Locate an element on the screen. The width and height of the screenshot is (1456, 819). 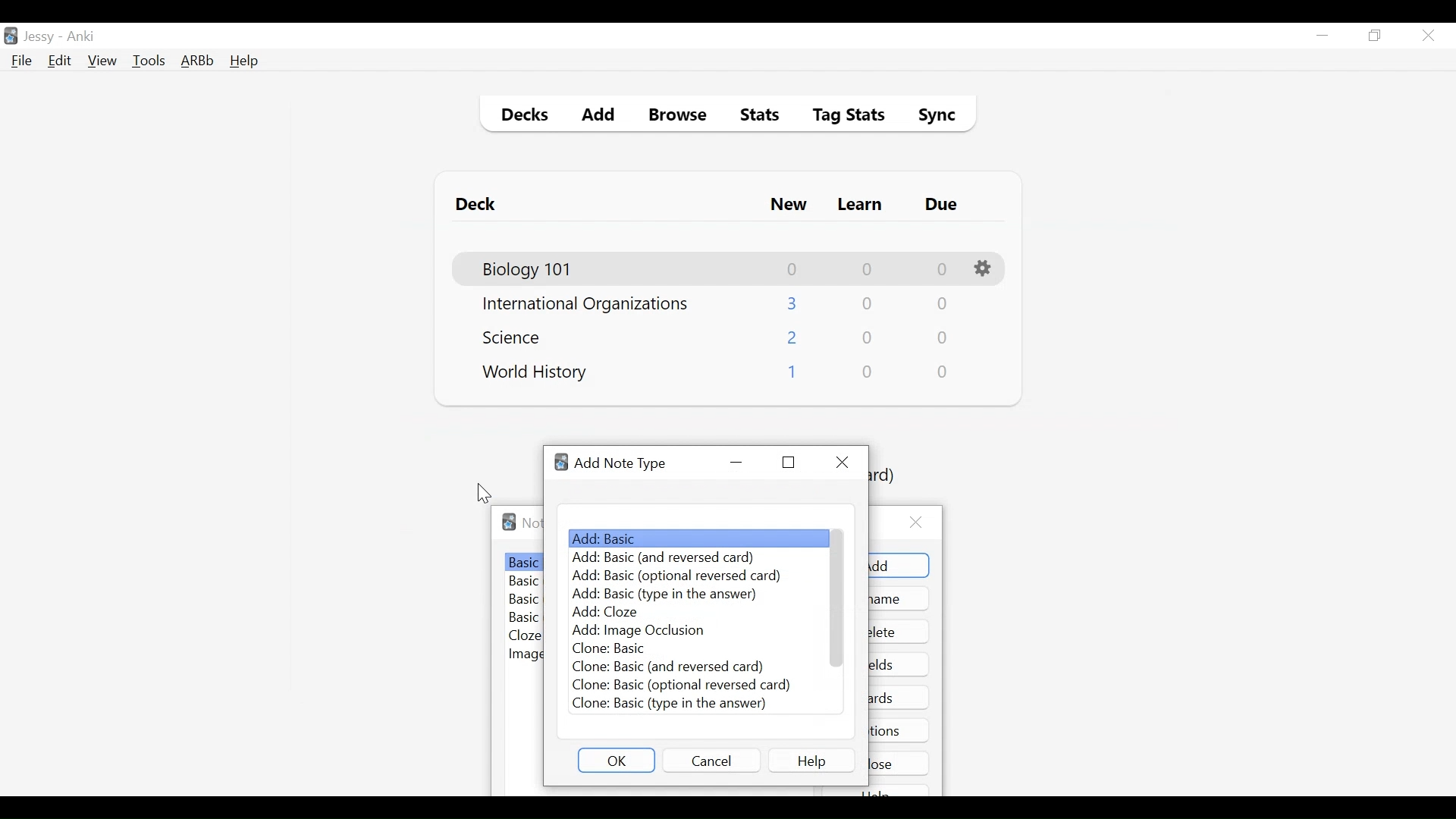
Cloze (number of notes) is located at coordinates (526, 636).